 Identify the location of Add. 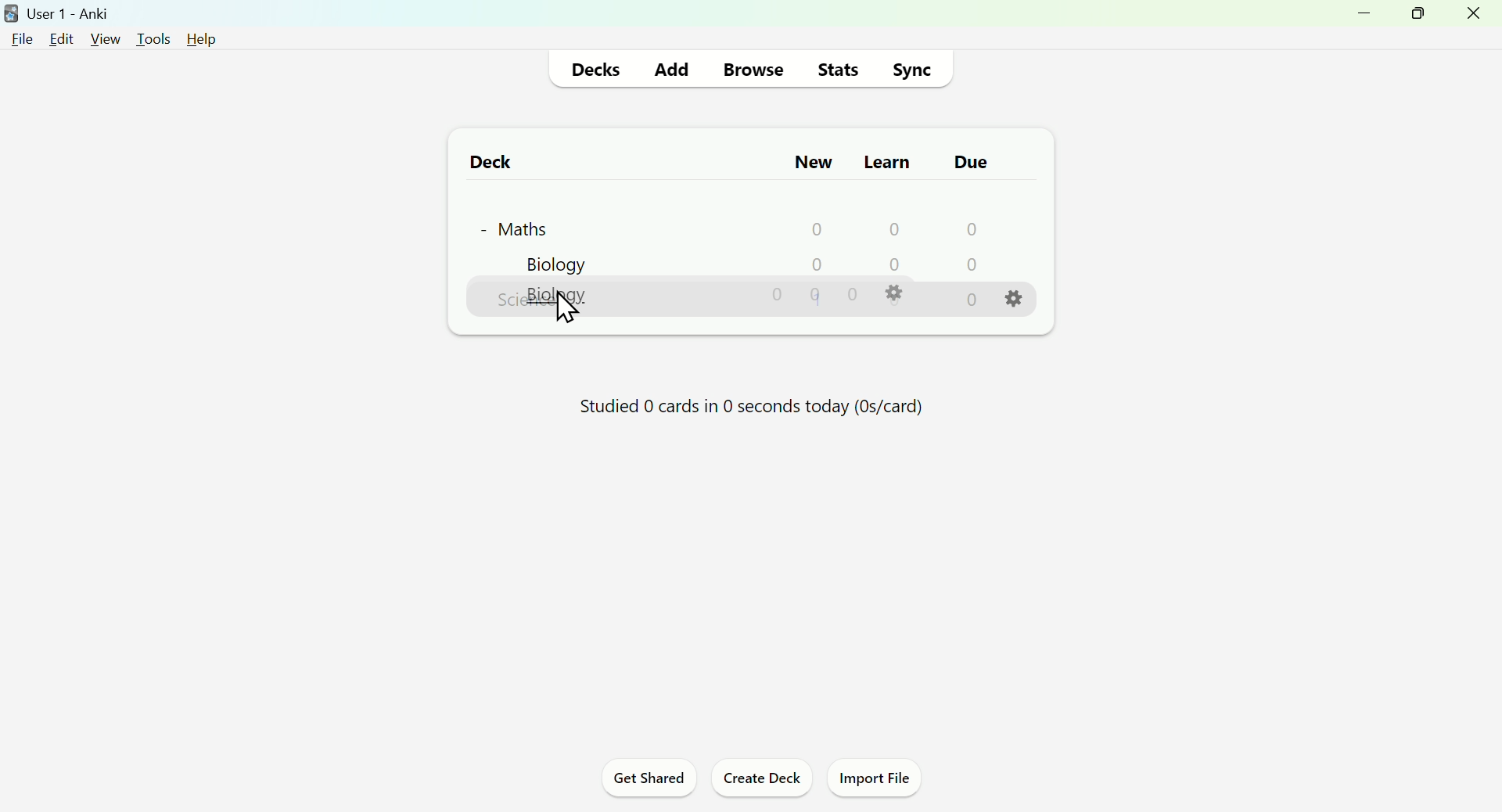
(671, 69).